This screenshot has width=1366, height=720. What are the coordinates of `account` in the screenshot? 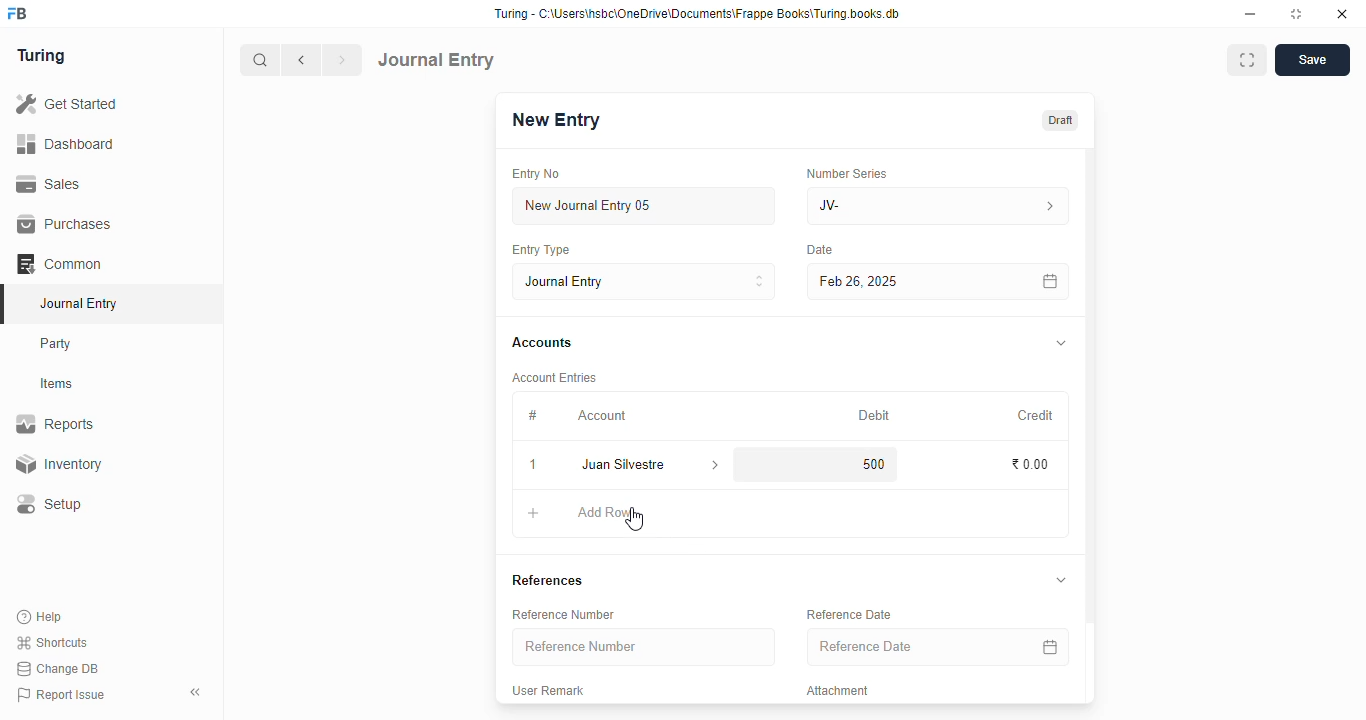 It's located at (602, 415).